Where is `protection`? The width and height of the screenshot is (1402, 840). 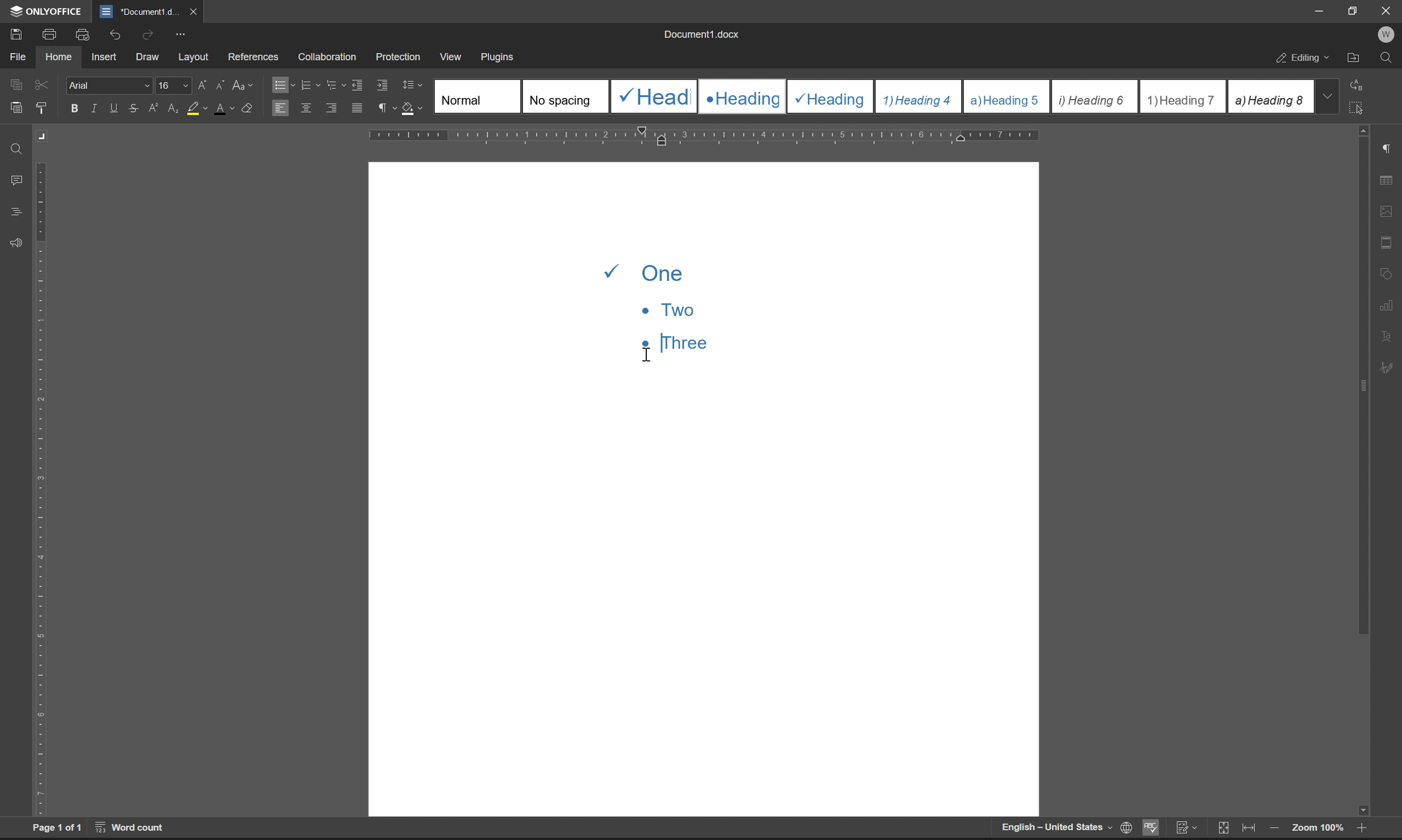
protection is located at coordinates (400, 56).